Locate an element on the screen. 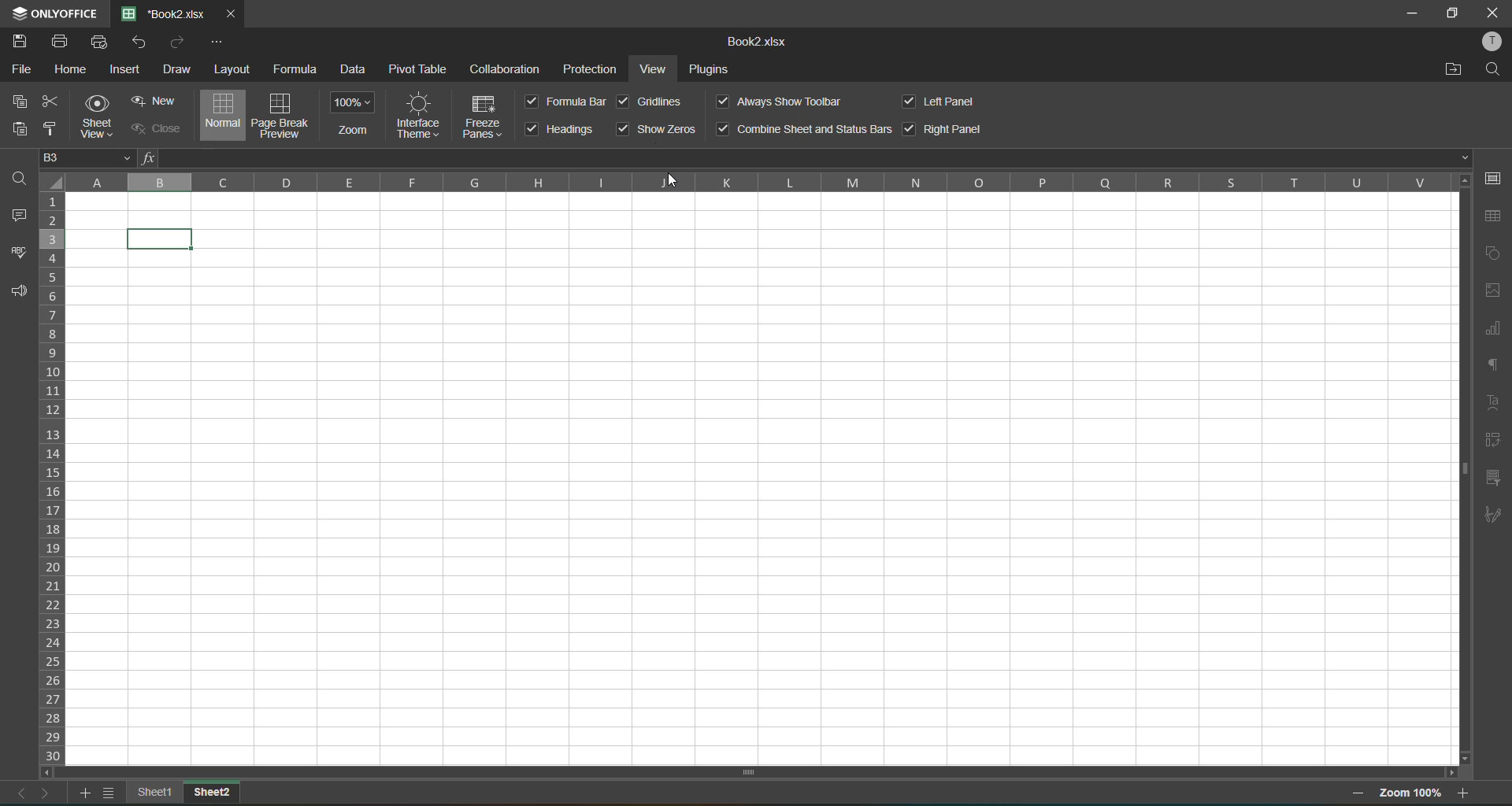  sheet view is located at coordinates (98, 117).